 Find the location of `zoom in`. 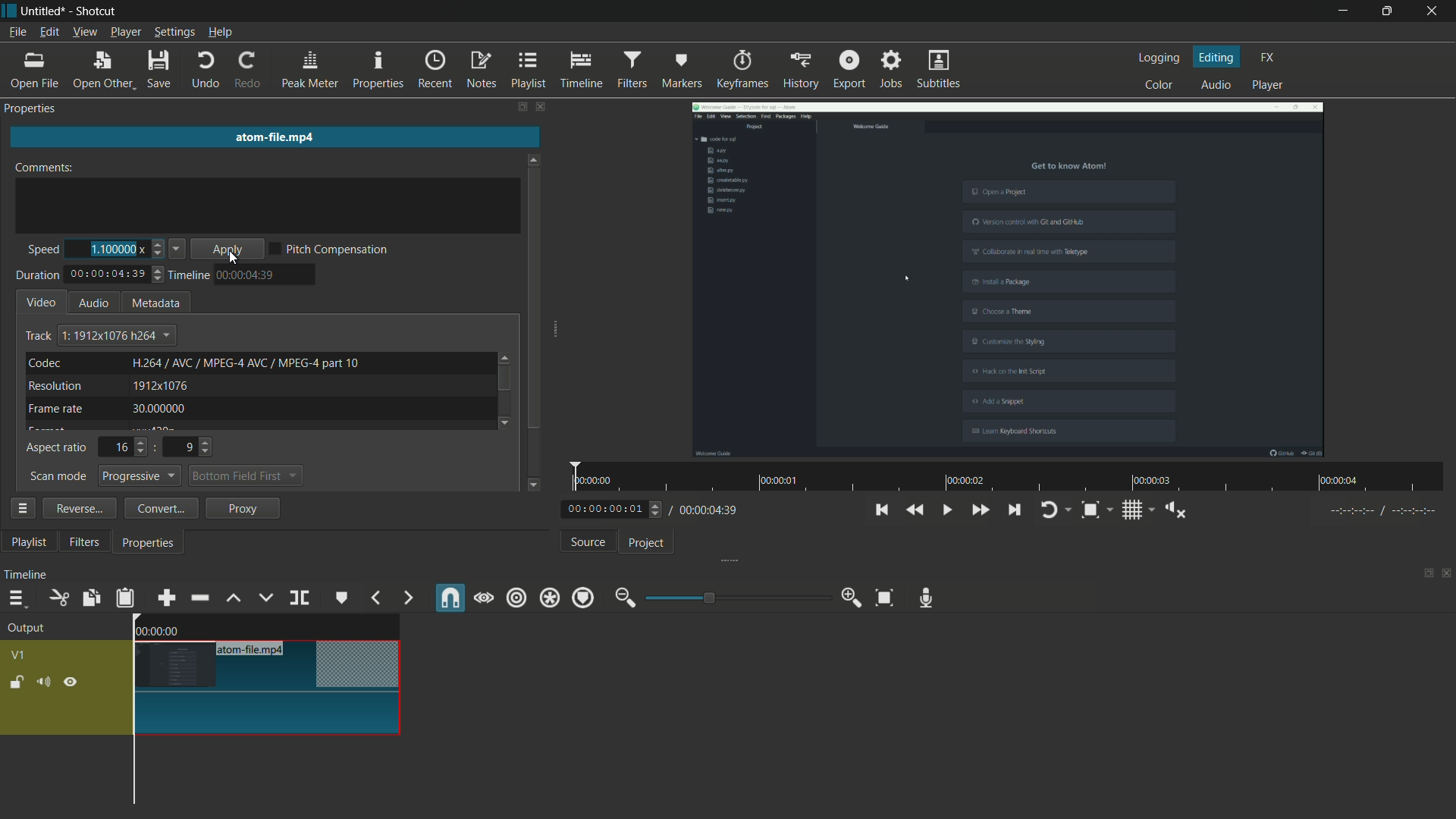

zoom in is located at coordinates (854, 598).